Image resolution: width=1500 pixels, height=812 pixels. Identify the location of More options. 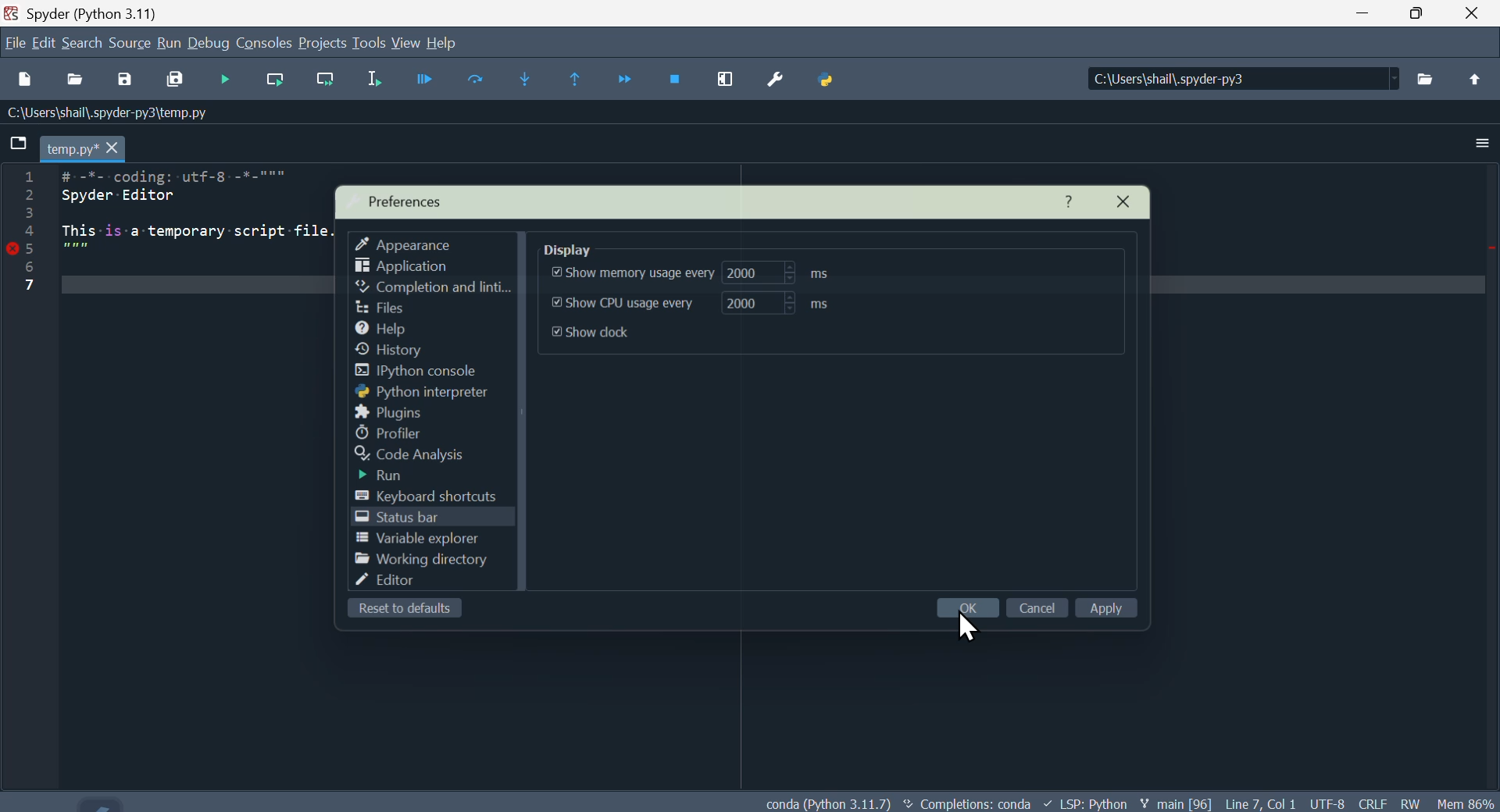
(1486, 139).